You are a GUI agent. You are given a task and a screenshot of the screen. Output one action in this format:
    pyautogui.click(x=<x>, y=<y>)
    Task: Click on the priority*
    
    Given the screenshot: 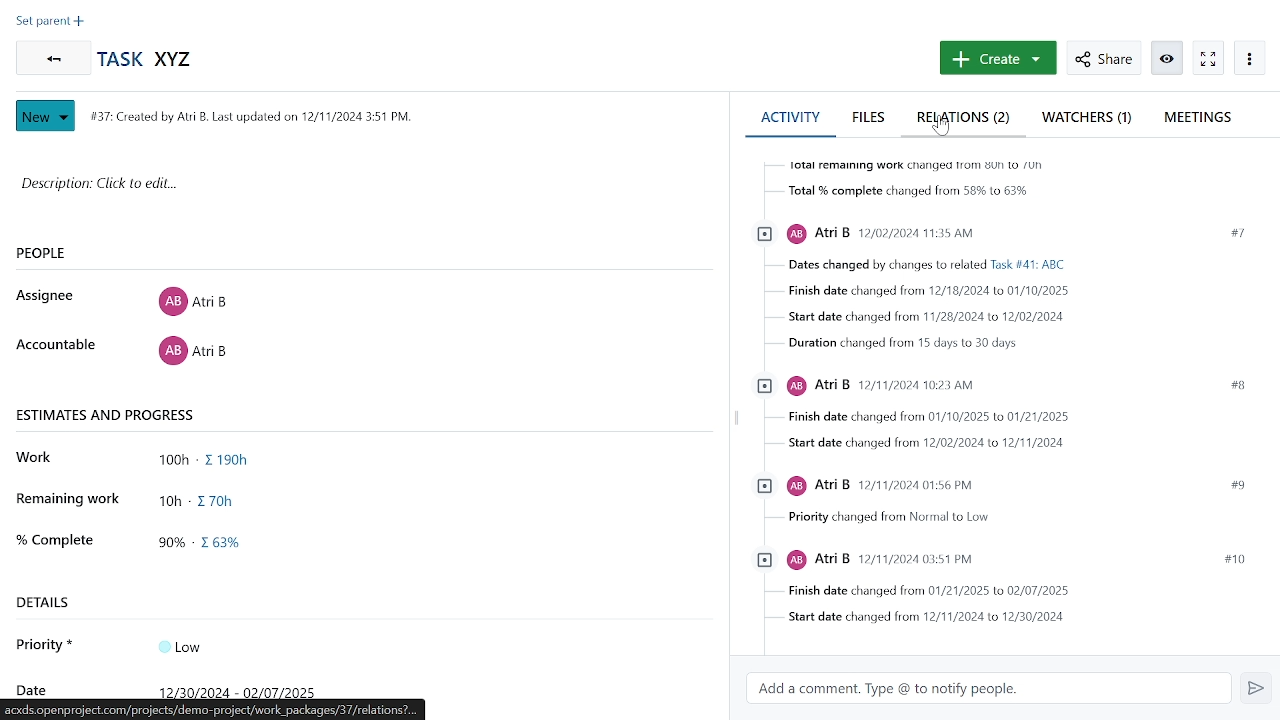 What is the action you would take?
    pyautogui.click(x=46, y=644)
    